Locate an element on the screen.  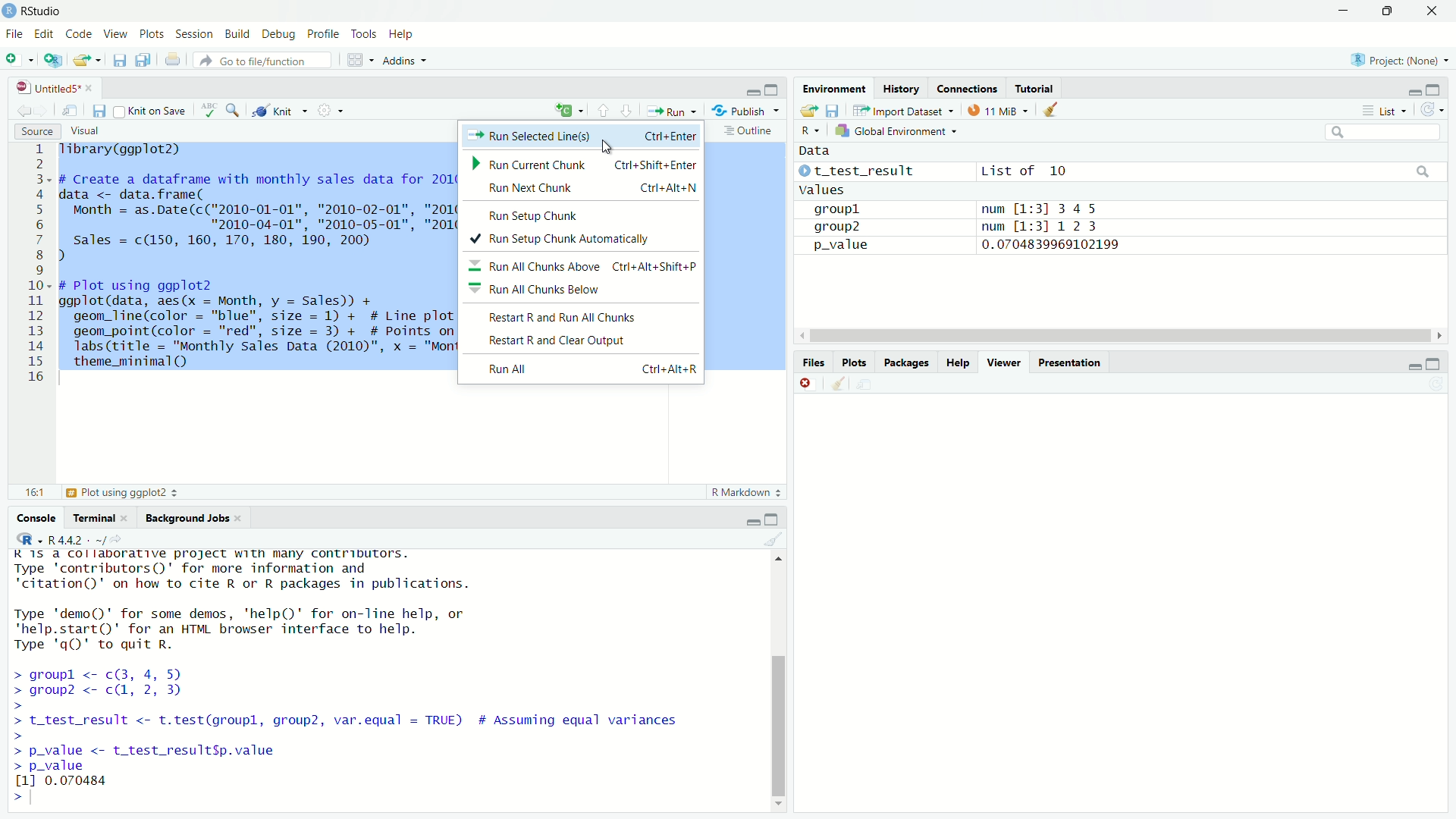
les Plots is located at coordinates (853, 362).